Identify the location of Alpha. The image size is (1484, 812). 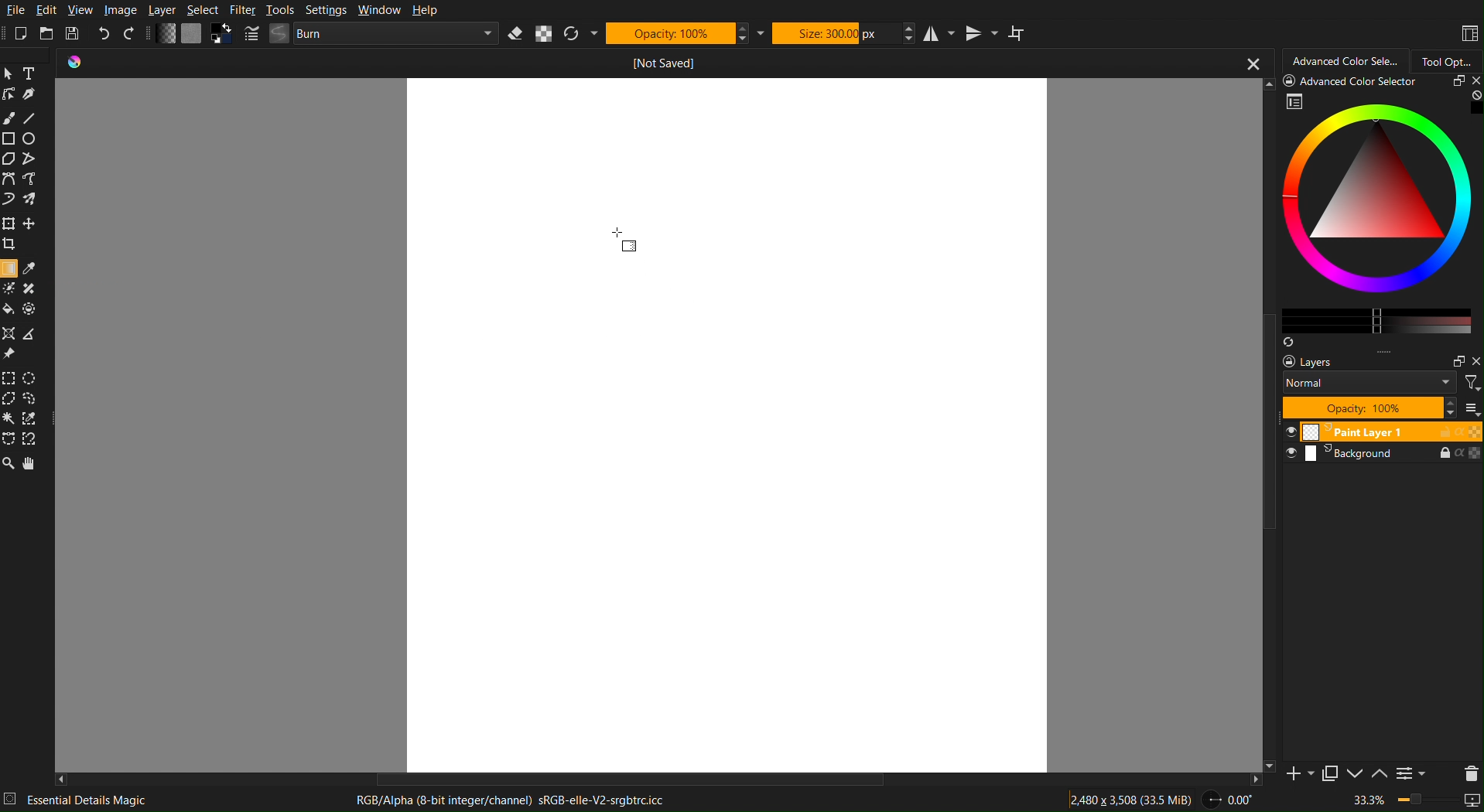
(544, 33).